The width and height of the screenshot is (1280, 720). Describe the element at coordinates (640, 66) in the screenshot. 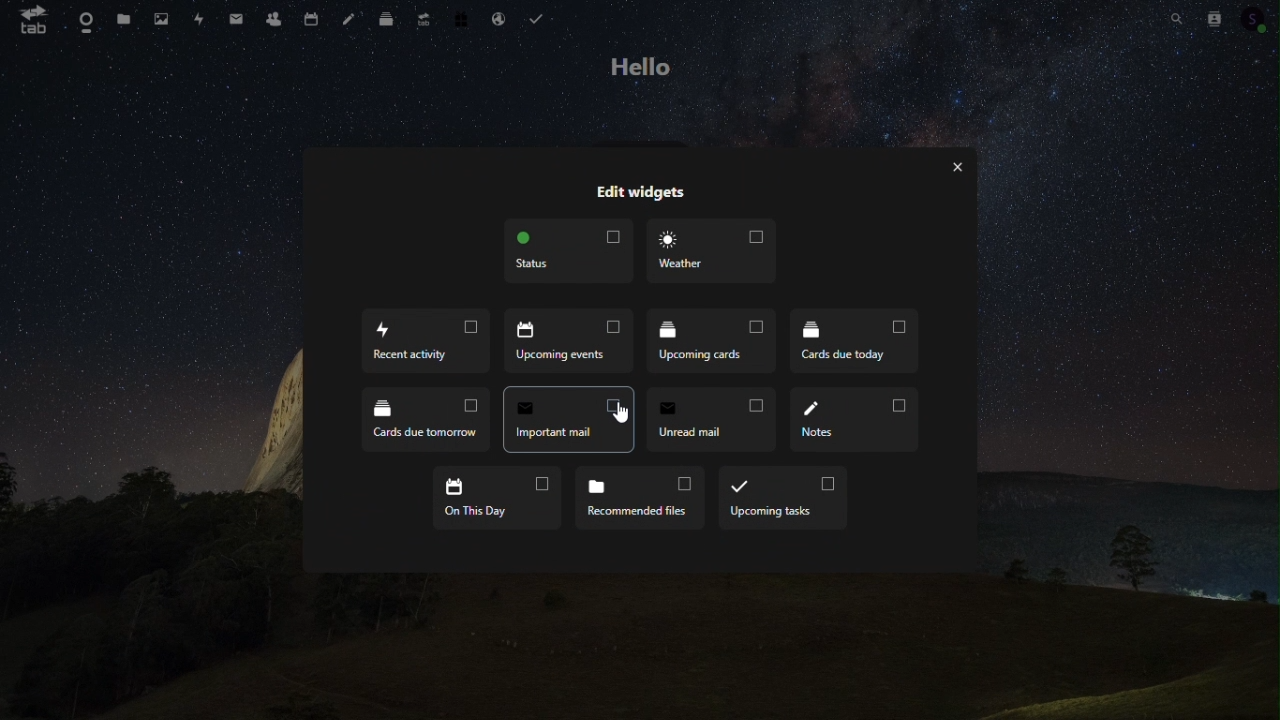

I see `Hello` at that location.